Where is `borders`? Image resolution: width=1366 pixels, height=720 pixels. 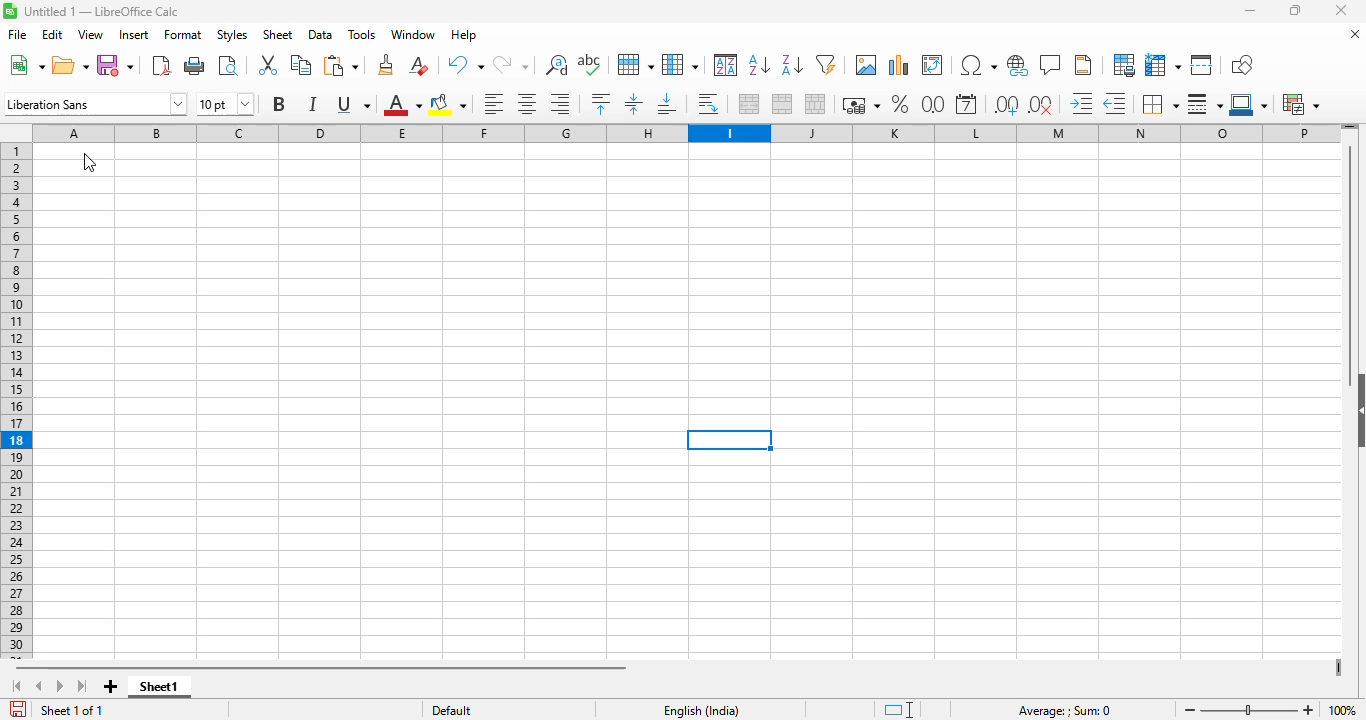
borders is located at coordinates (1159, 104).